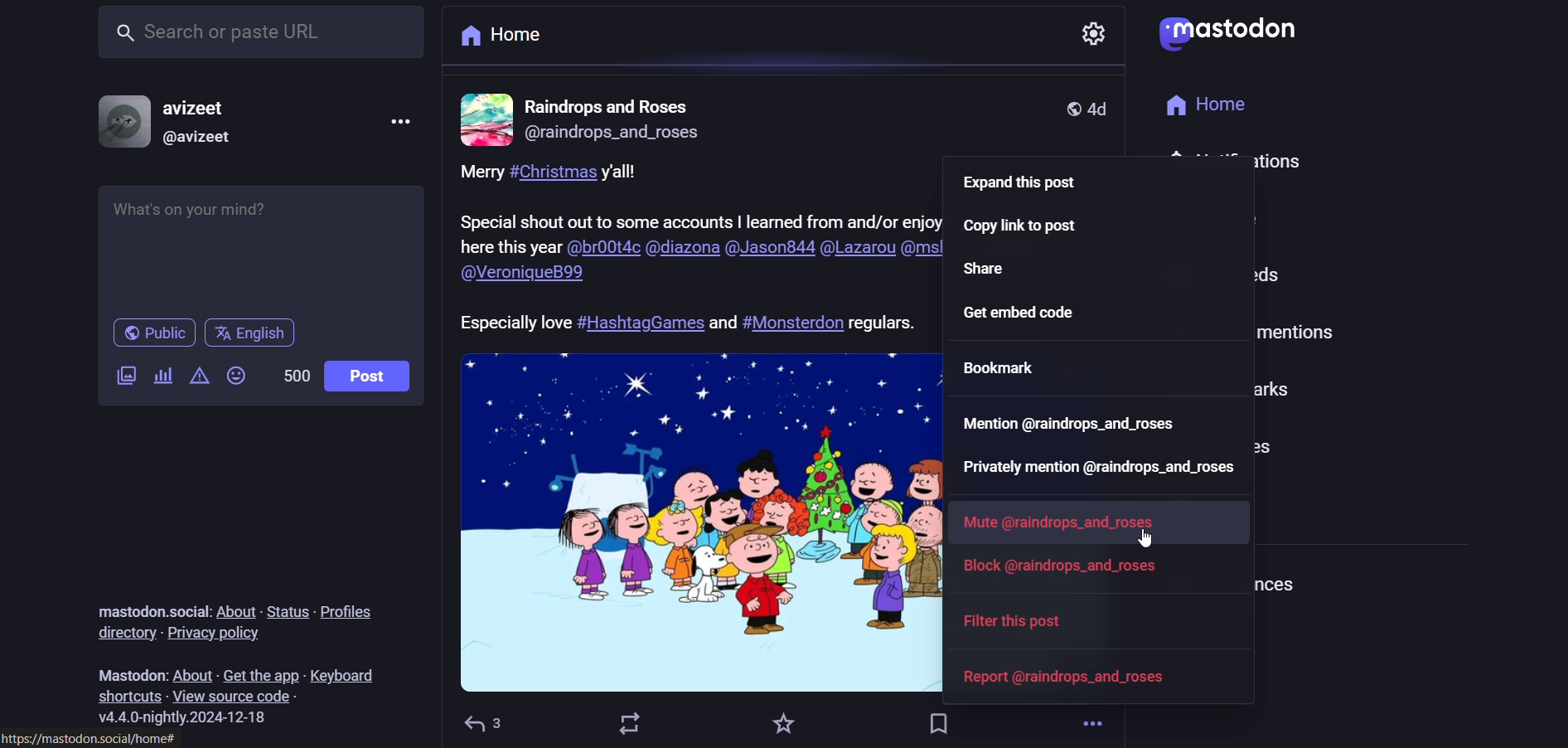 Image resolution: width=1568 pixels, height=748 pixels. Describe the element at coordinates (201, 375) in the screenshot. I see `content warning` at that location.